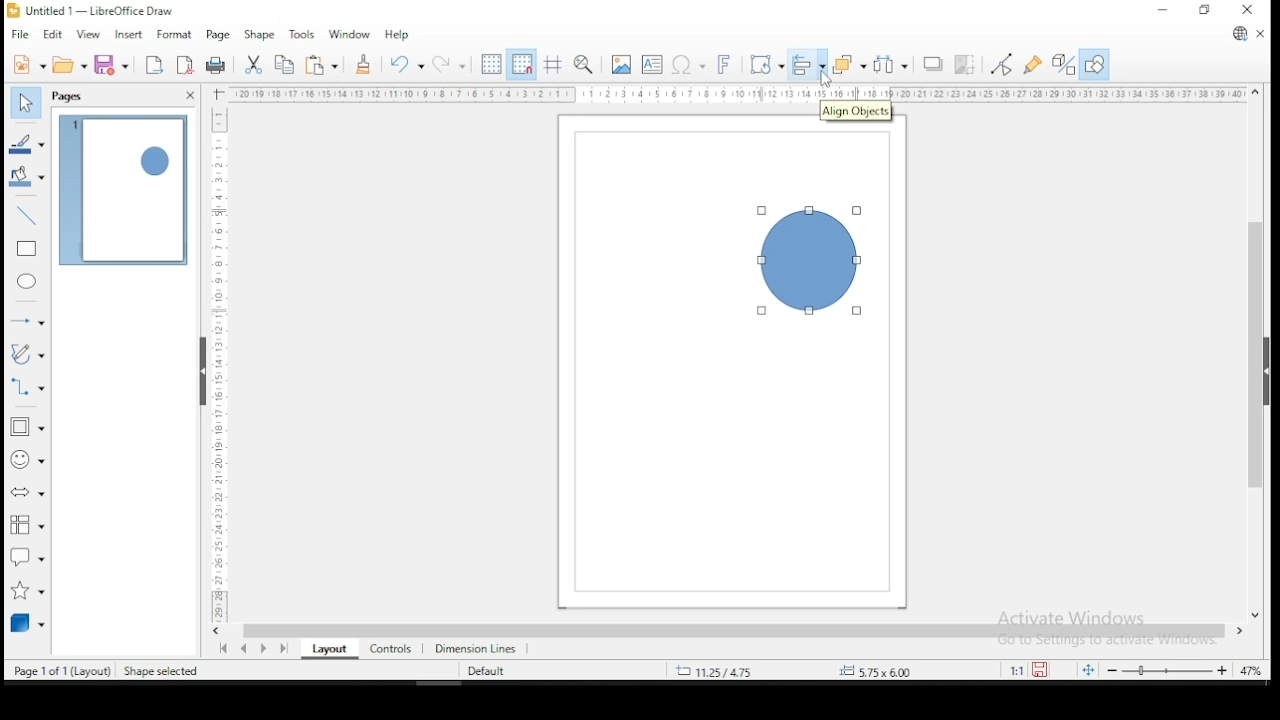 Image resolution: width=1280 pixels, height=720 pixels. I want to click on open, so click(70, 64).